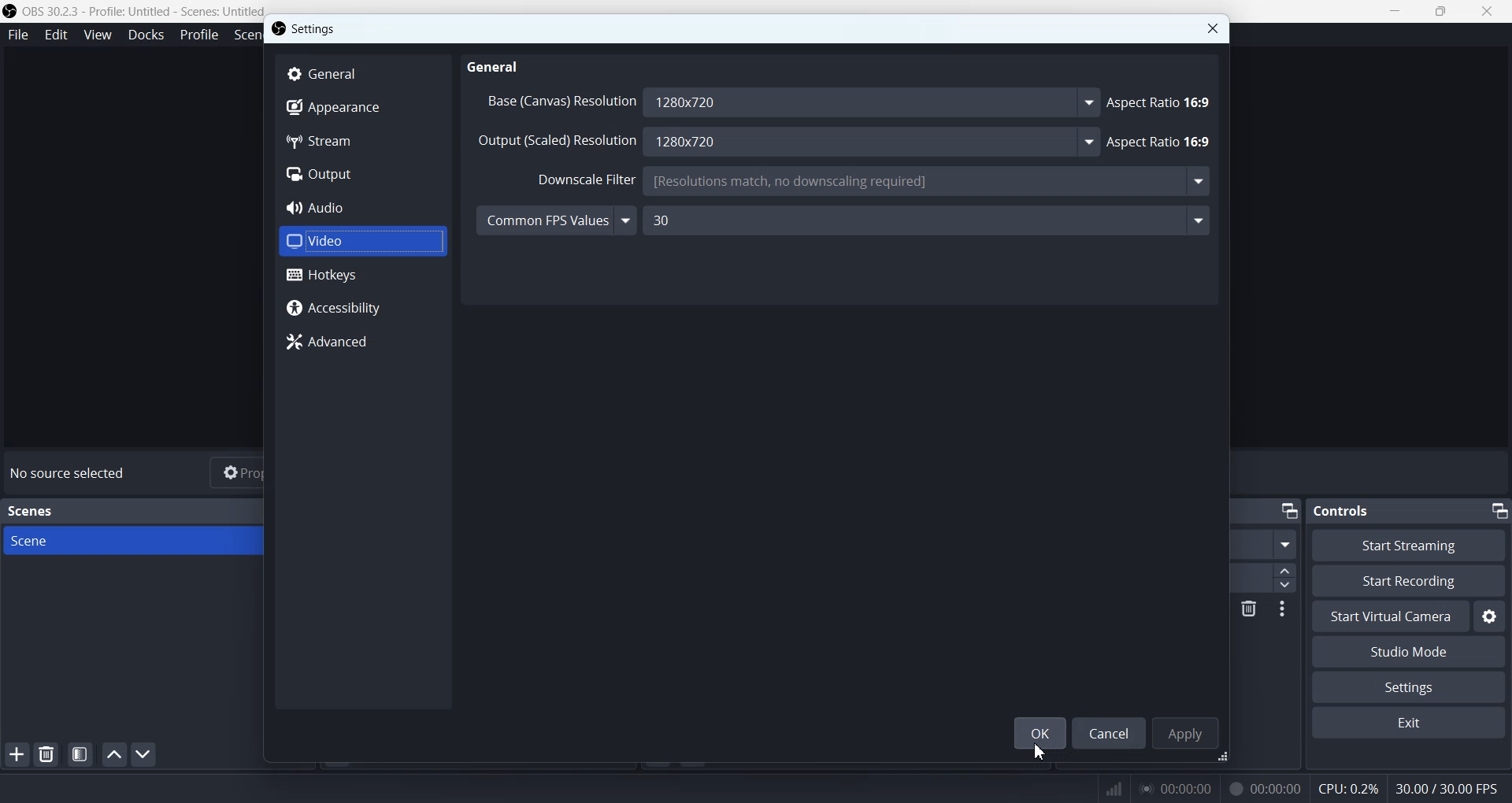 The width and height of the screenshot is (1512, 803). Describe the element at coordinates (31, 512) in the screenshot. I see `Scenes` at that location.